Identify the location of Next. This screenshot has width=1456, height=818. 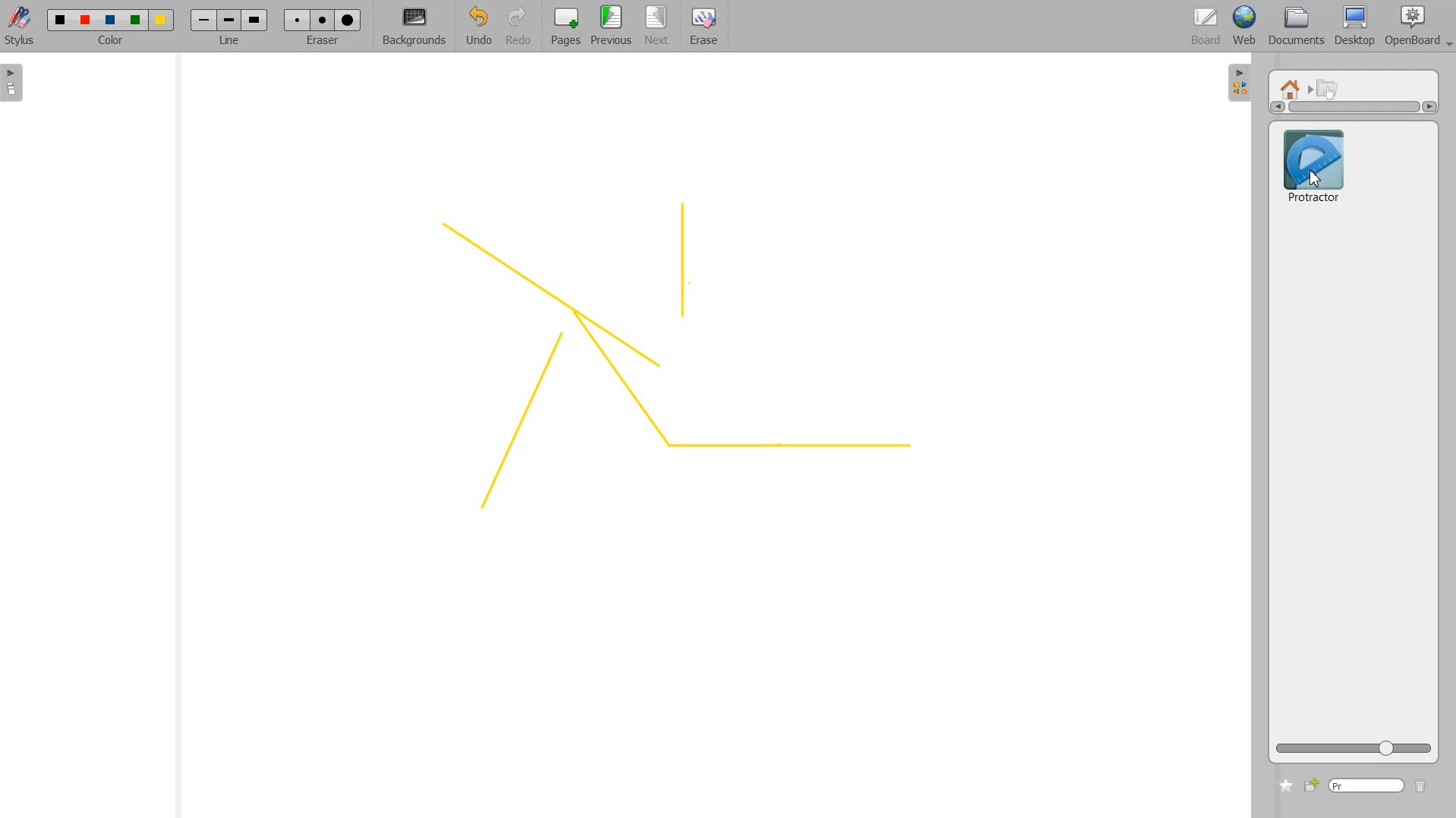
(658, 27).